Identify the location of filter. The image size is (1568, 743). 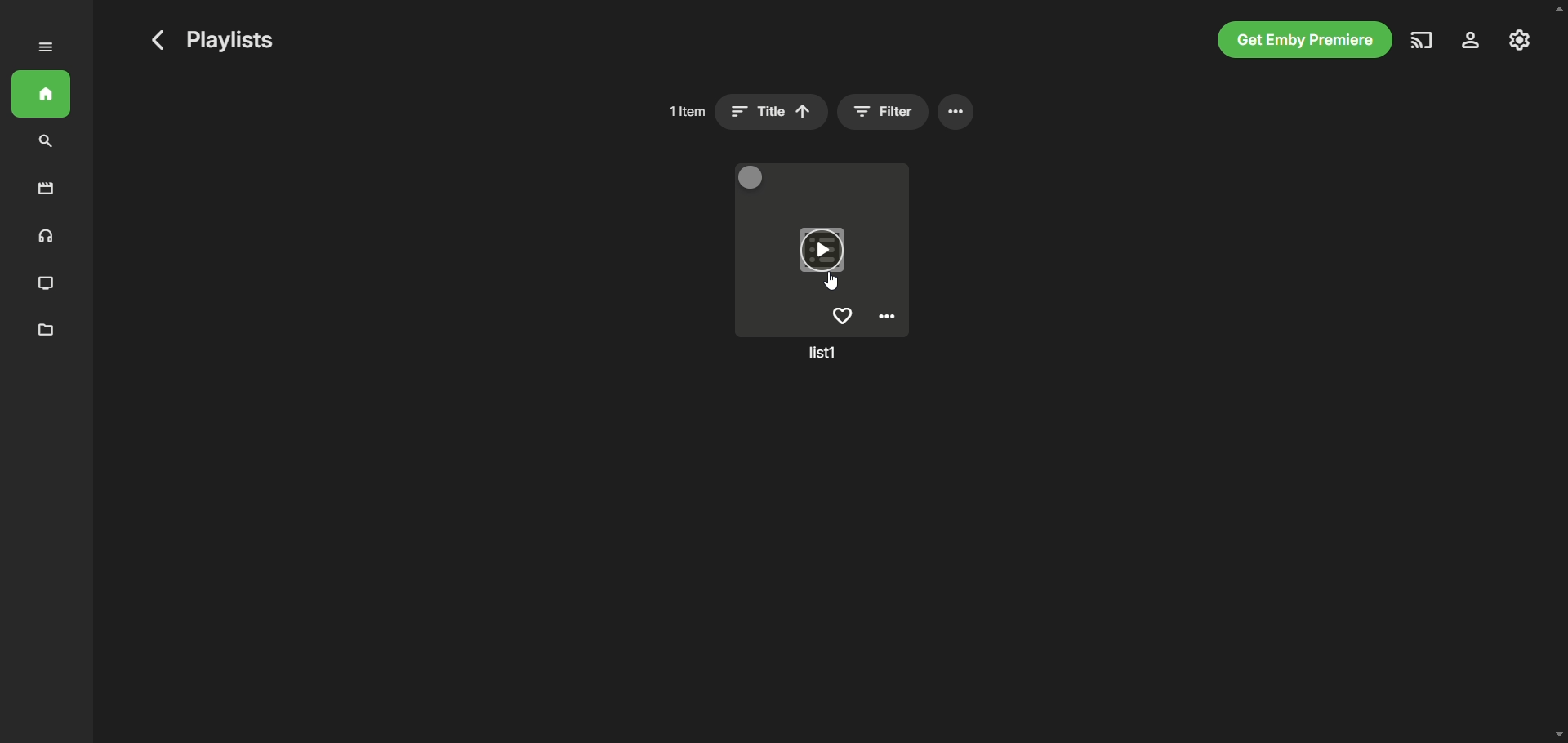
(882, 111).